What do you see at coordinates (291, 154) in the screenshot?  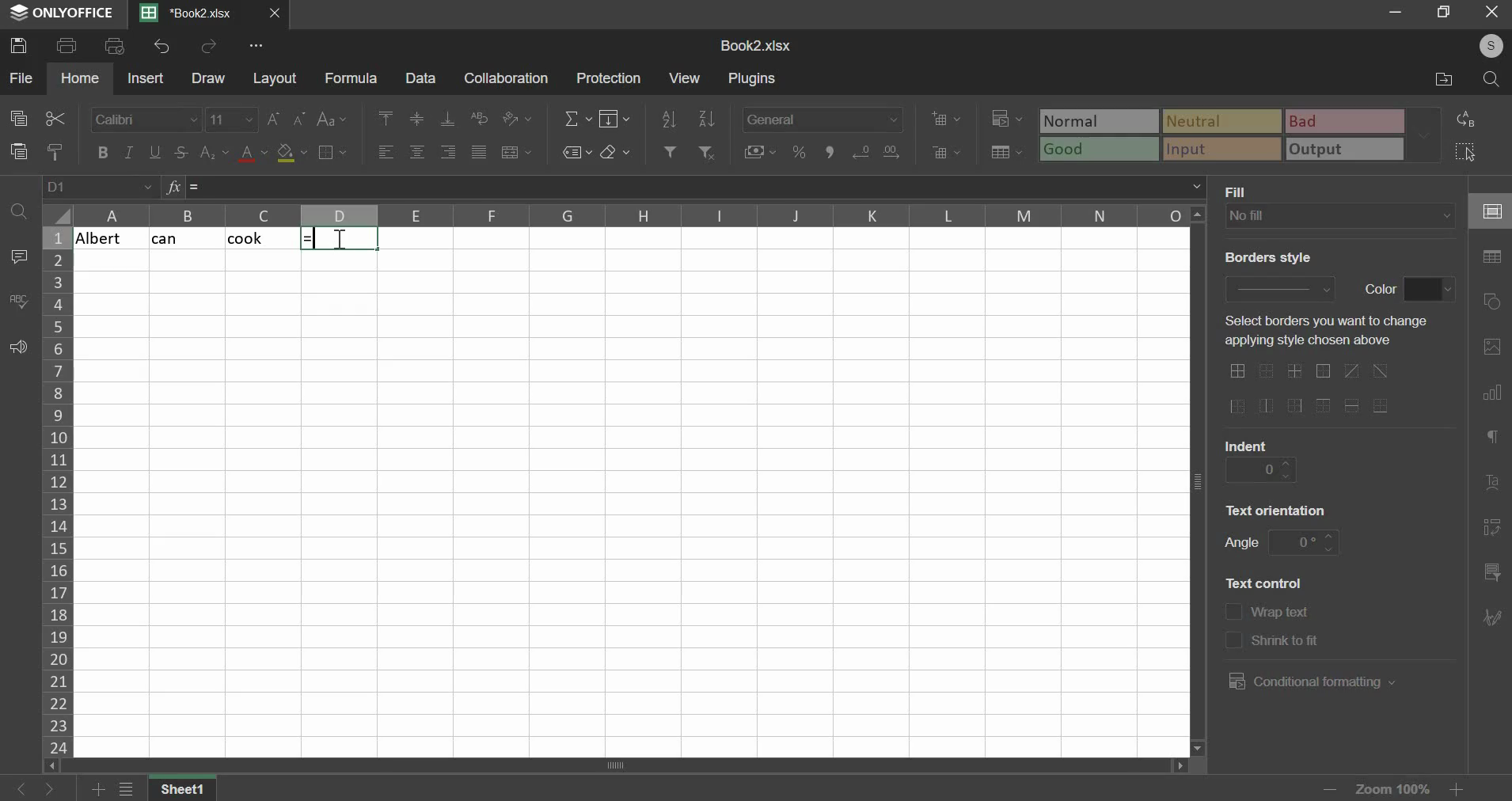 I see `fill color` at bounding box center [291, 154].